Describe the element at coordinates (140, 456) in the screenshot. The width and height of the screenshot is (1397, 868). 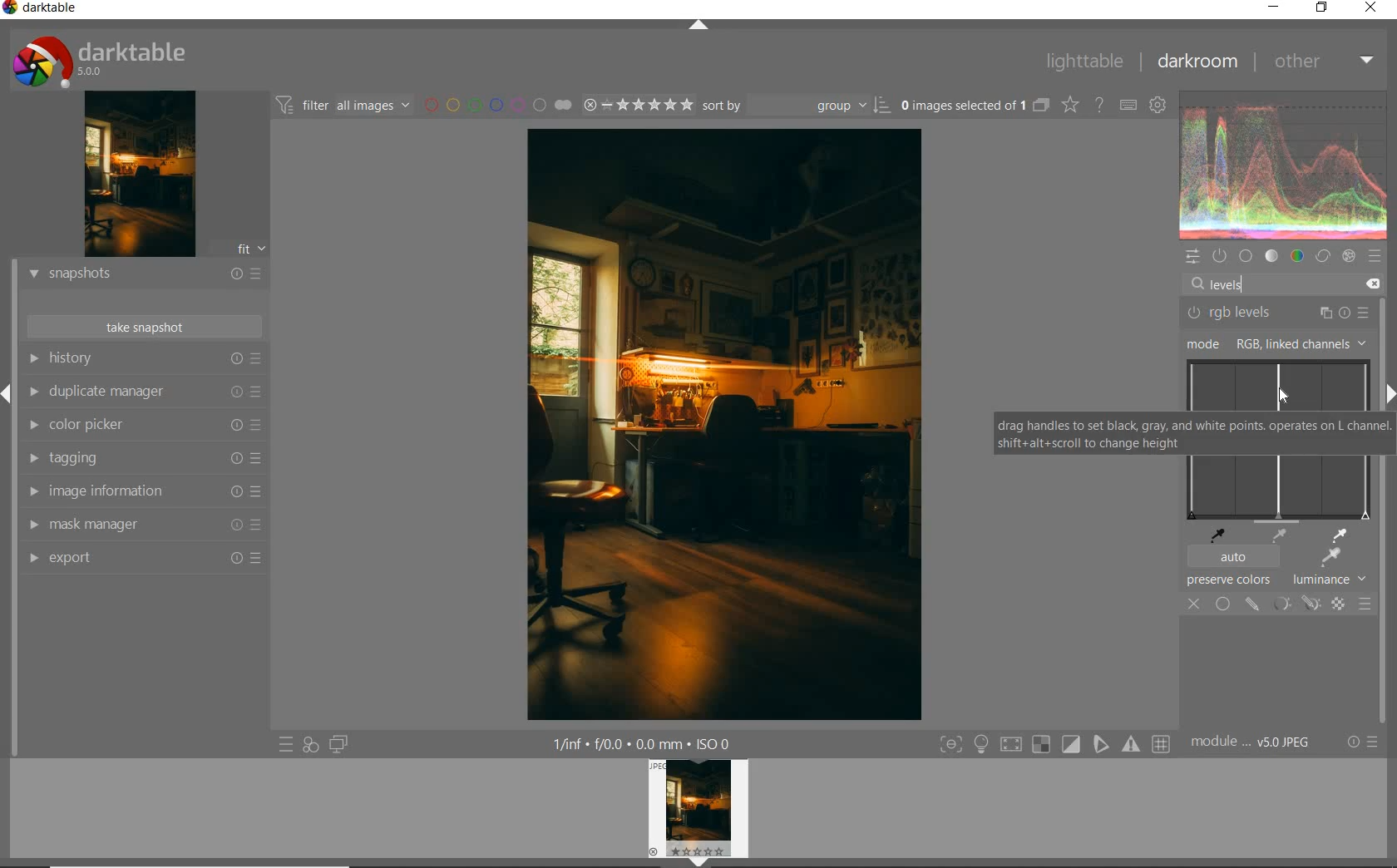
I see `tagging` at that location.